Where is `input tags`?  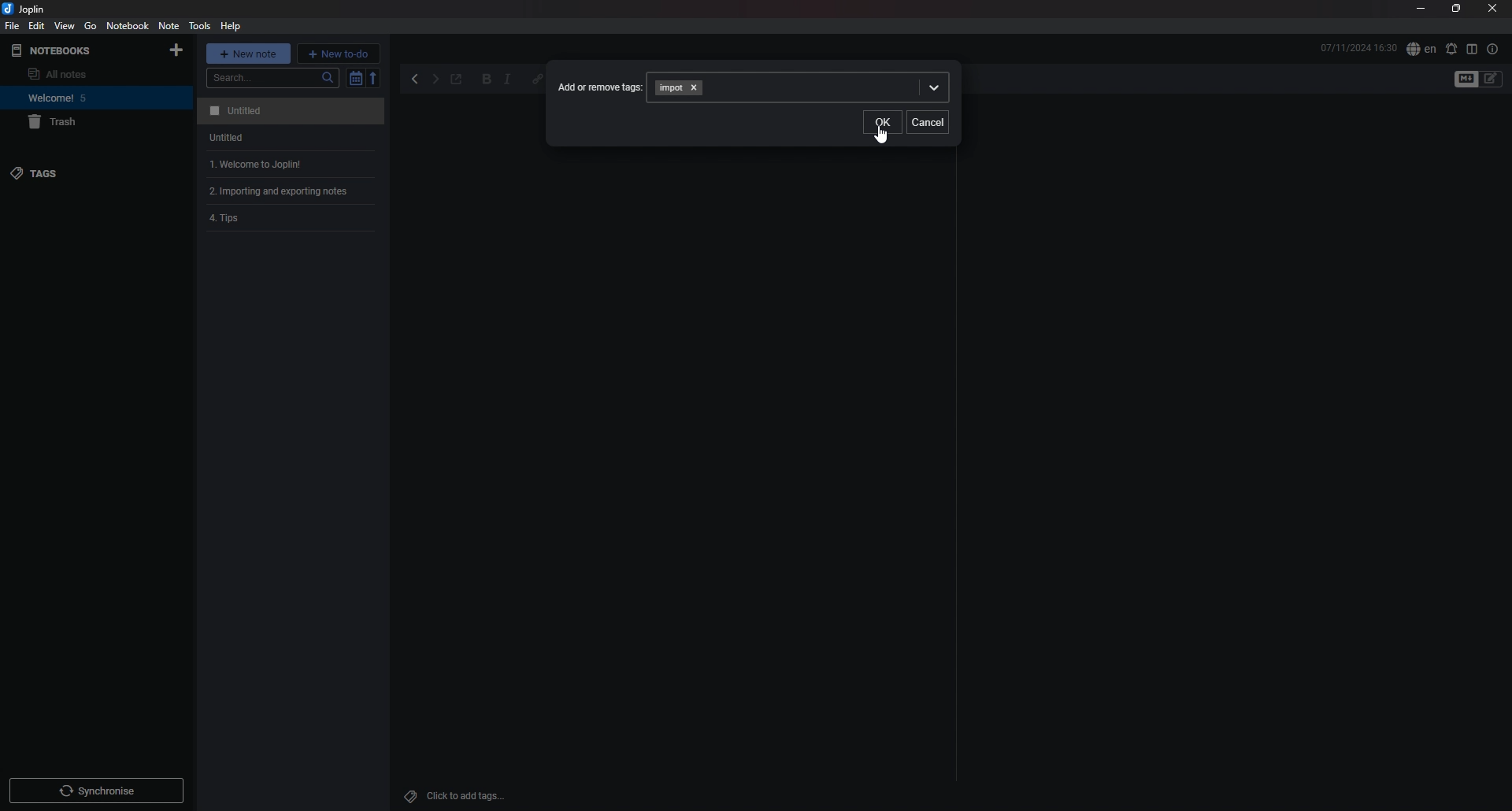 input tags is located at coordinates (827, 87).